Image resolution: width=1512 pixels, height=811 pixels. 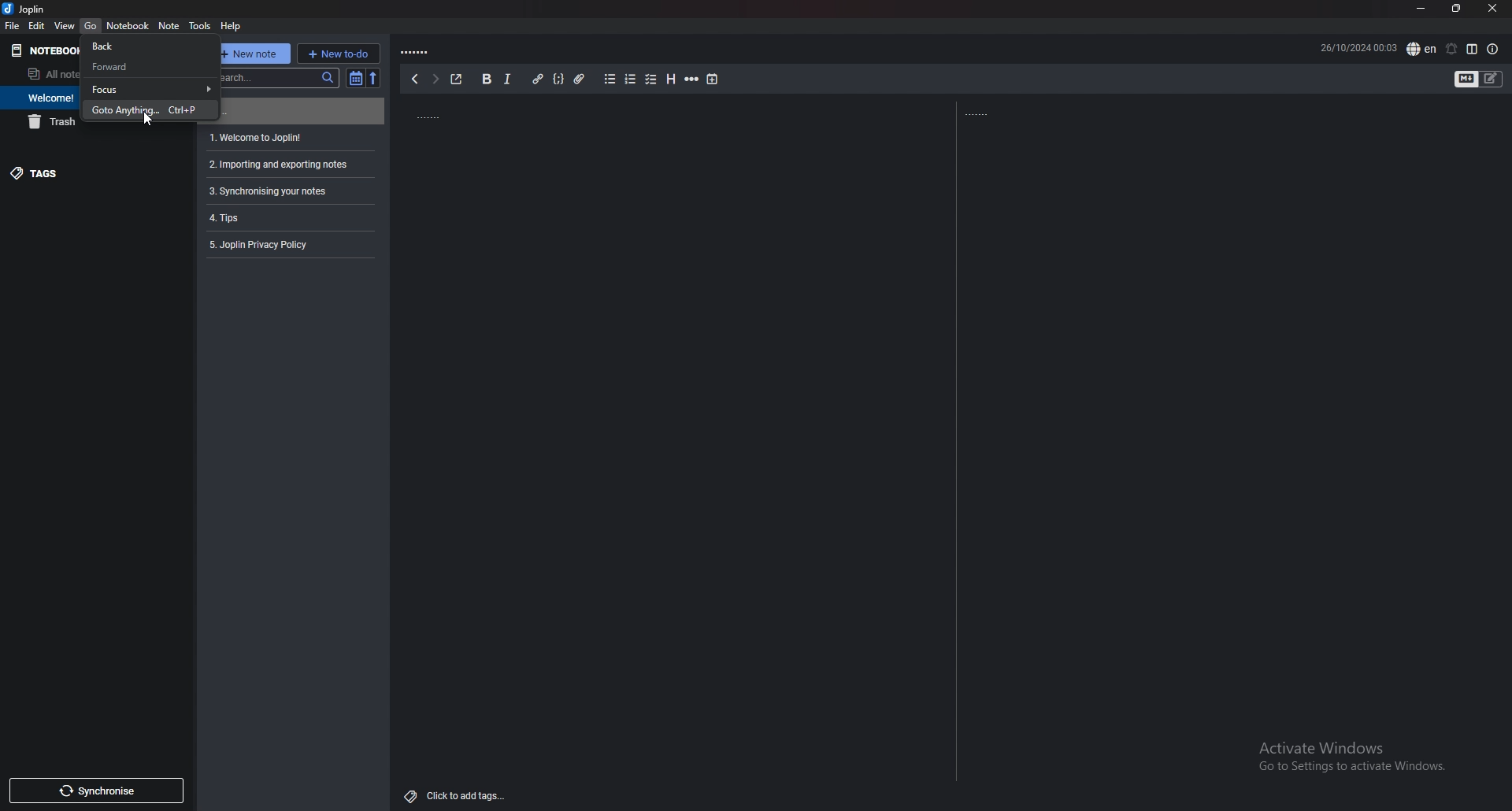 What do you see at coordinates (13, 26) in the screenshot?
I see `file` at bounding box center [13, 26].